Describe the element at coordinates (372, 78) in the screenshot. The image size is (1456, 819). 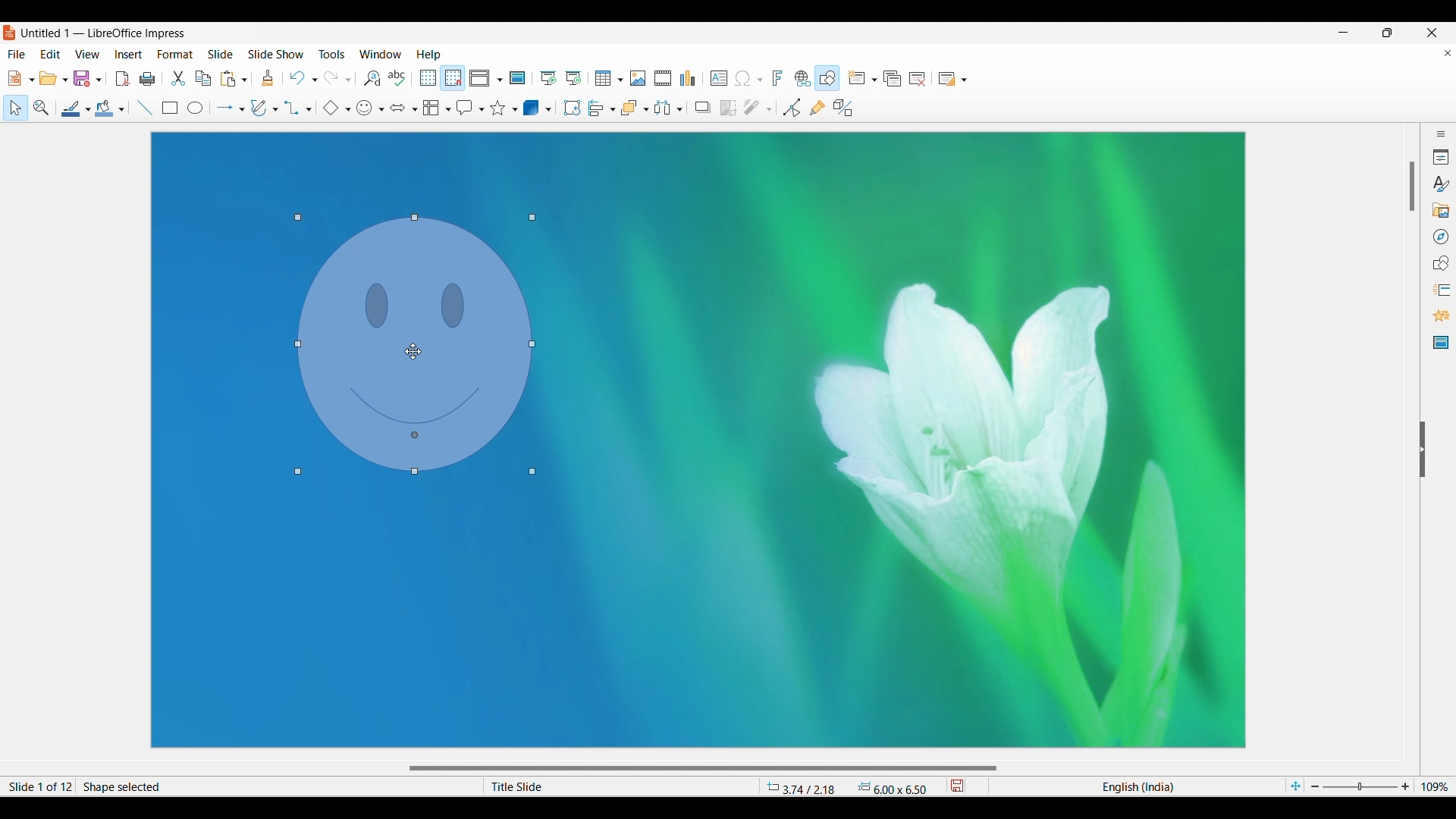
I see `Find and replace` at that location.